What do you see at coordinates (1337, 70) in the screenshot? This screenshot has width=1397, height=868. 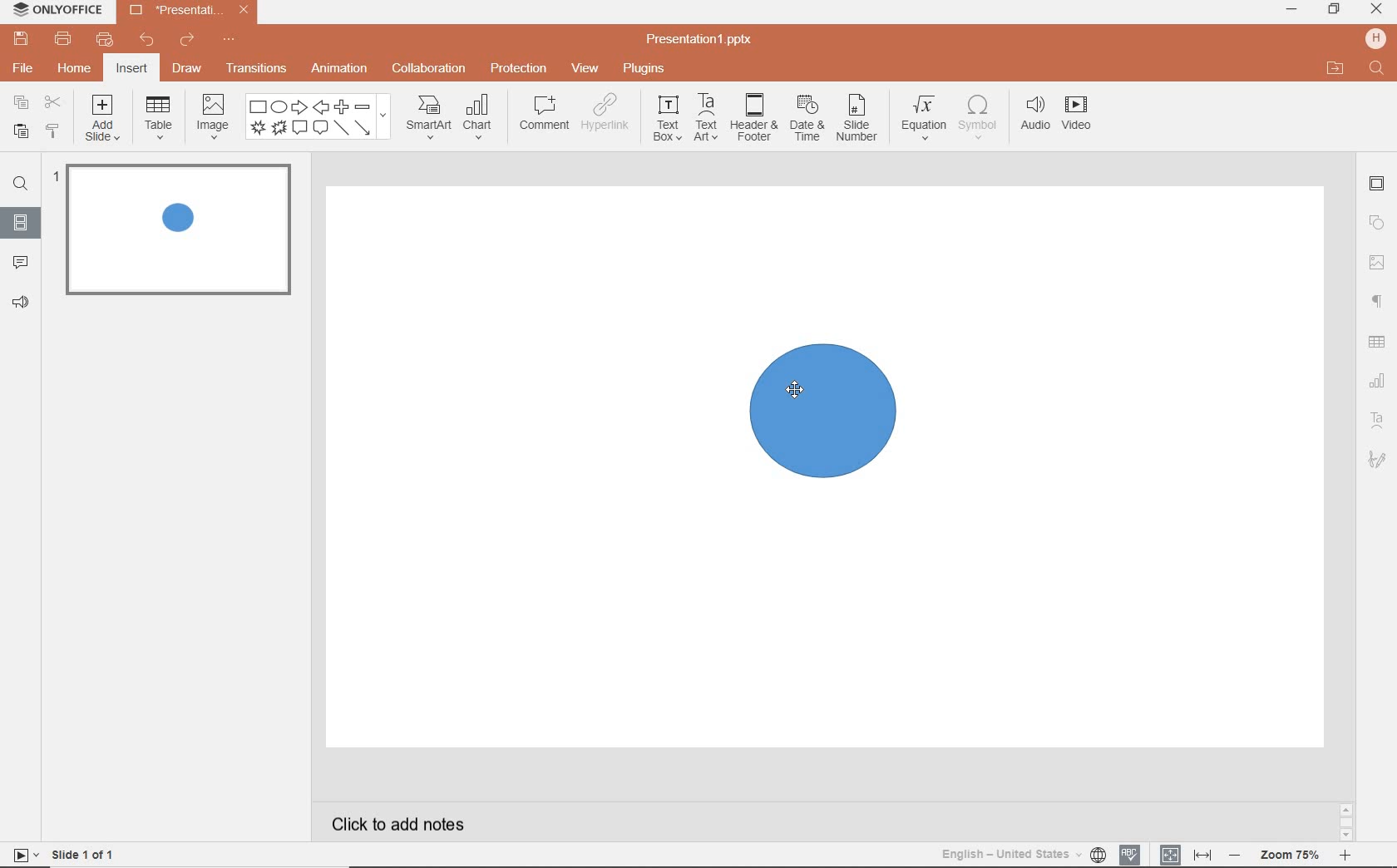 I see `open file location` at bounding box center [1337, 70].